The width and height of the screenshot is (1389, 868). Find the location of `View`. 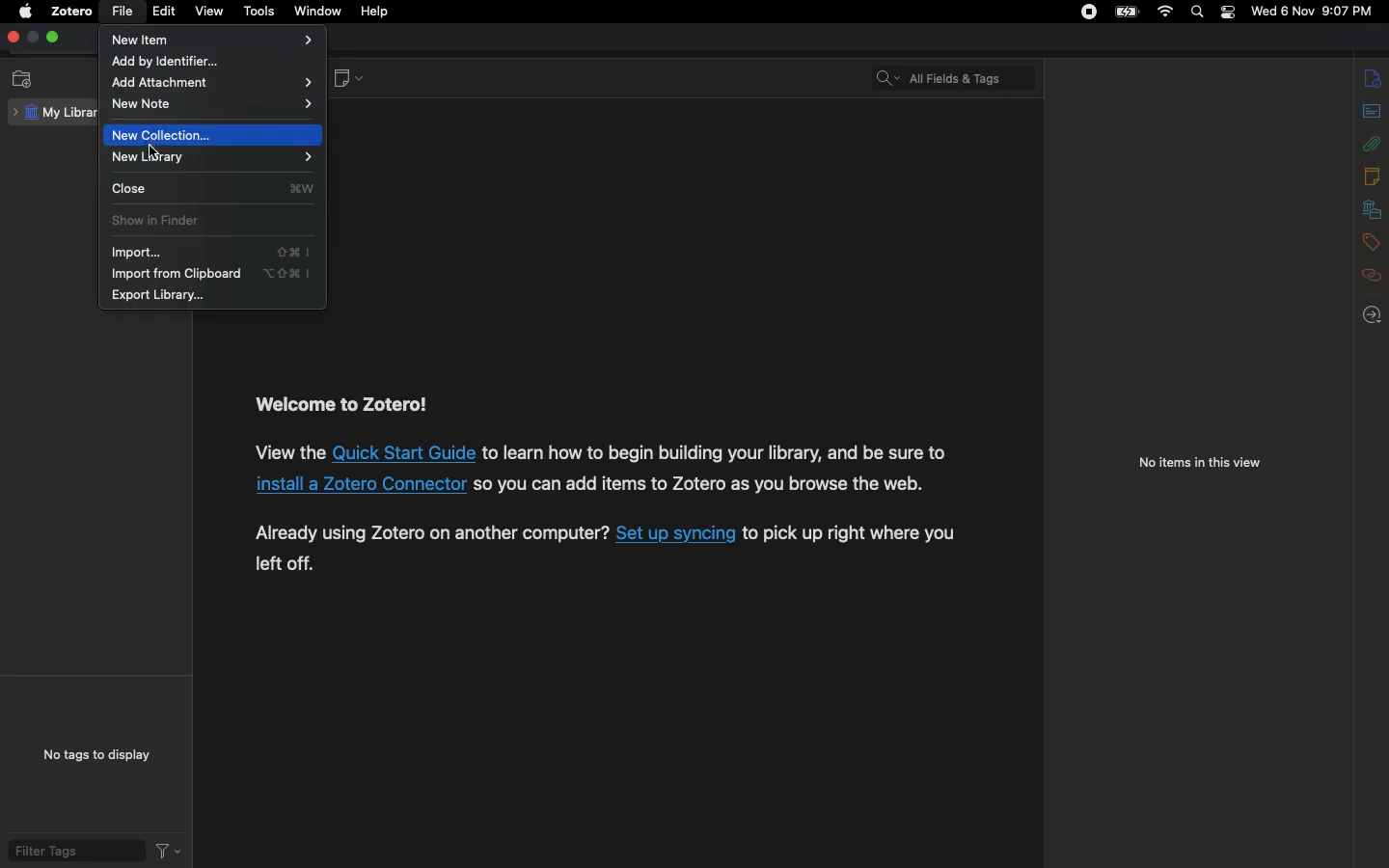

View is located at coordinates (212, 13).